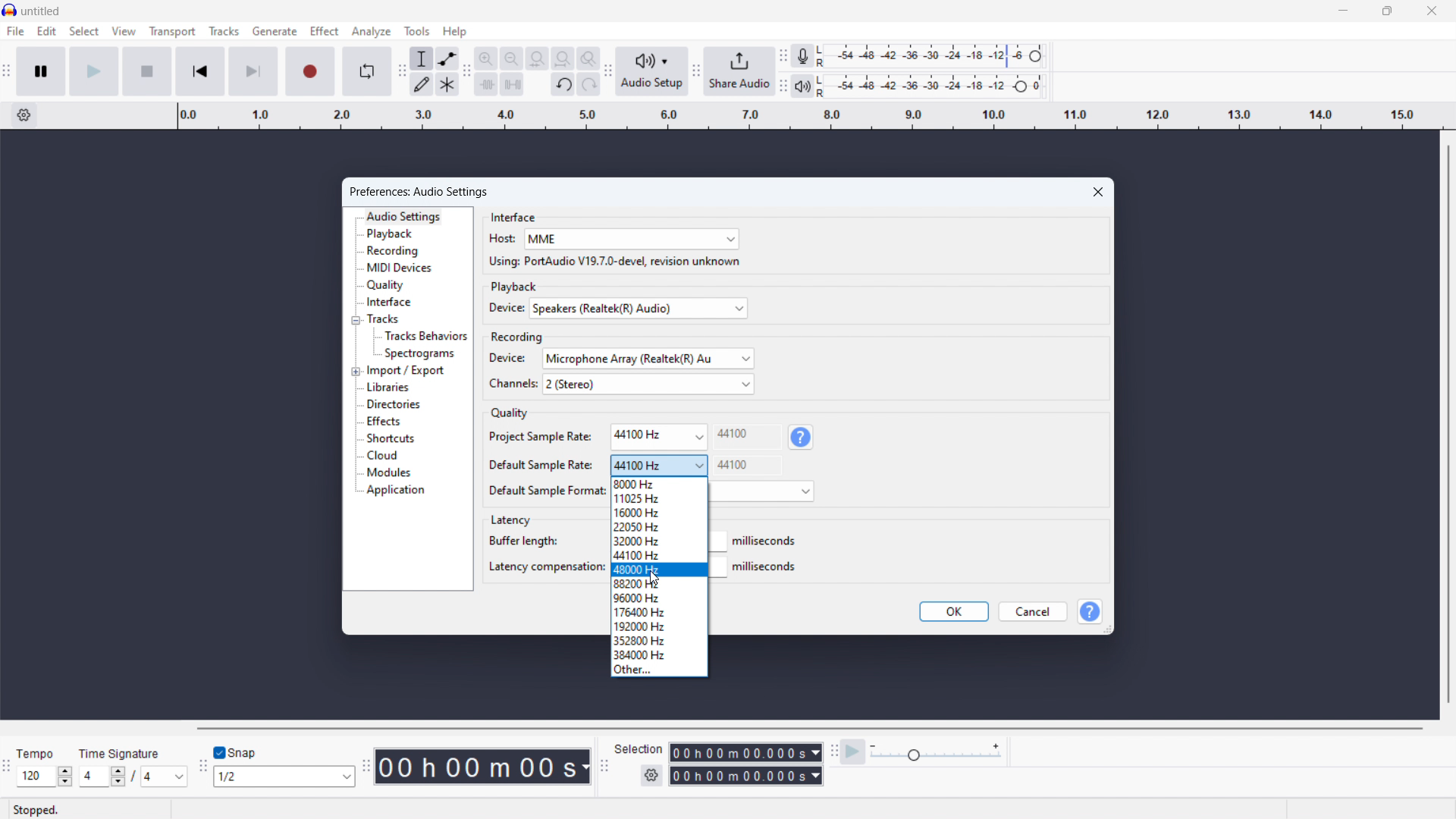 The image size is (1456, 819). What do you see at coordinates (508, 414) in the screenshot?
I see `quality` at bounding box center [508, 414].